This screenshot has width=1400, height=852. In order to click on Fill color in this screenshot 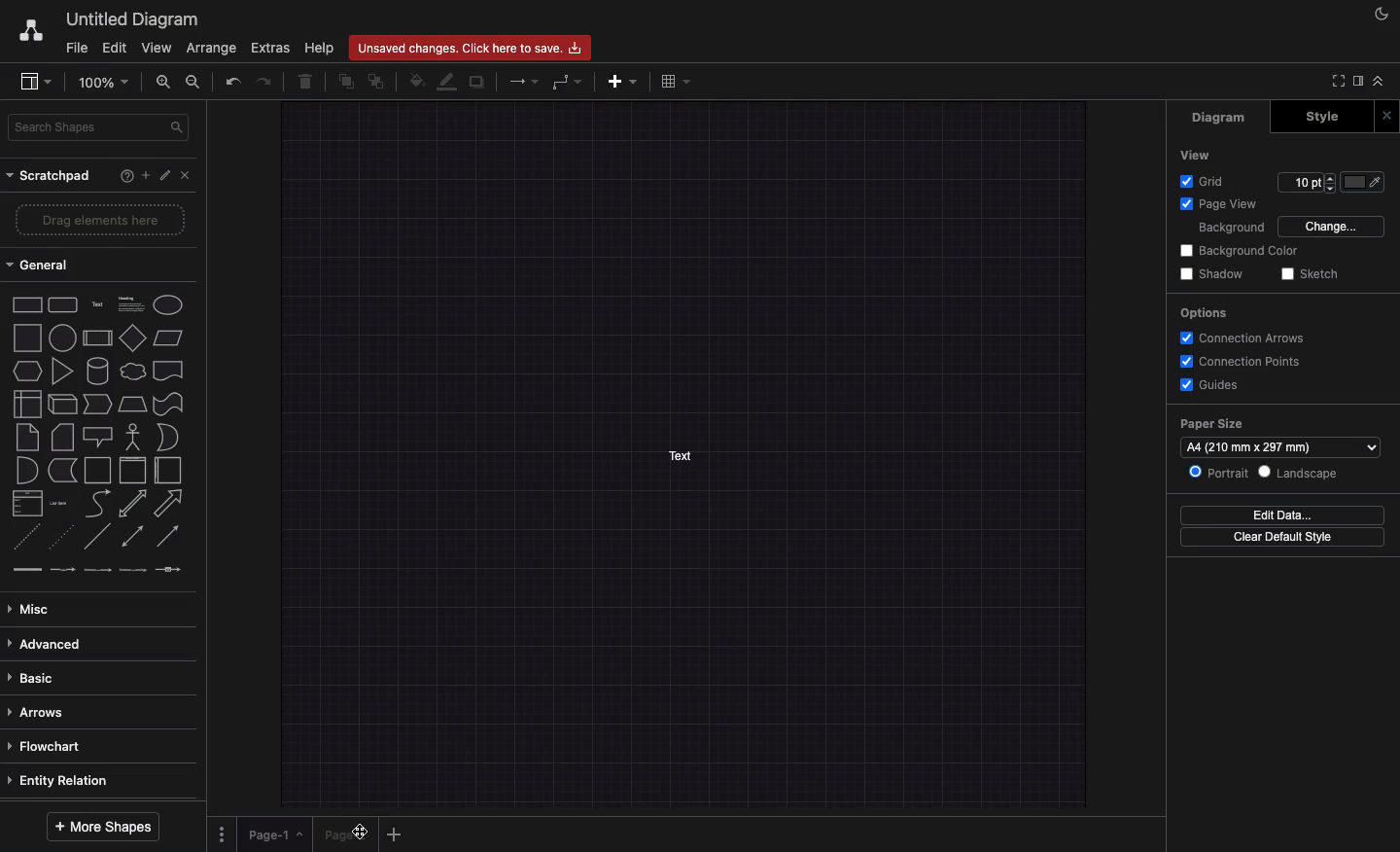, I will do `click(416, 83)`.